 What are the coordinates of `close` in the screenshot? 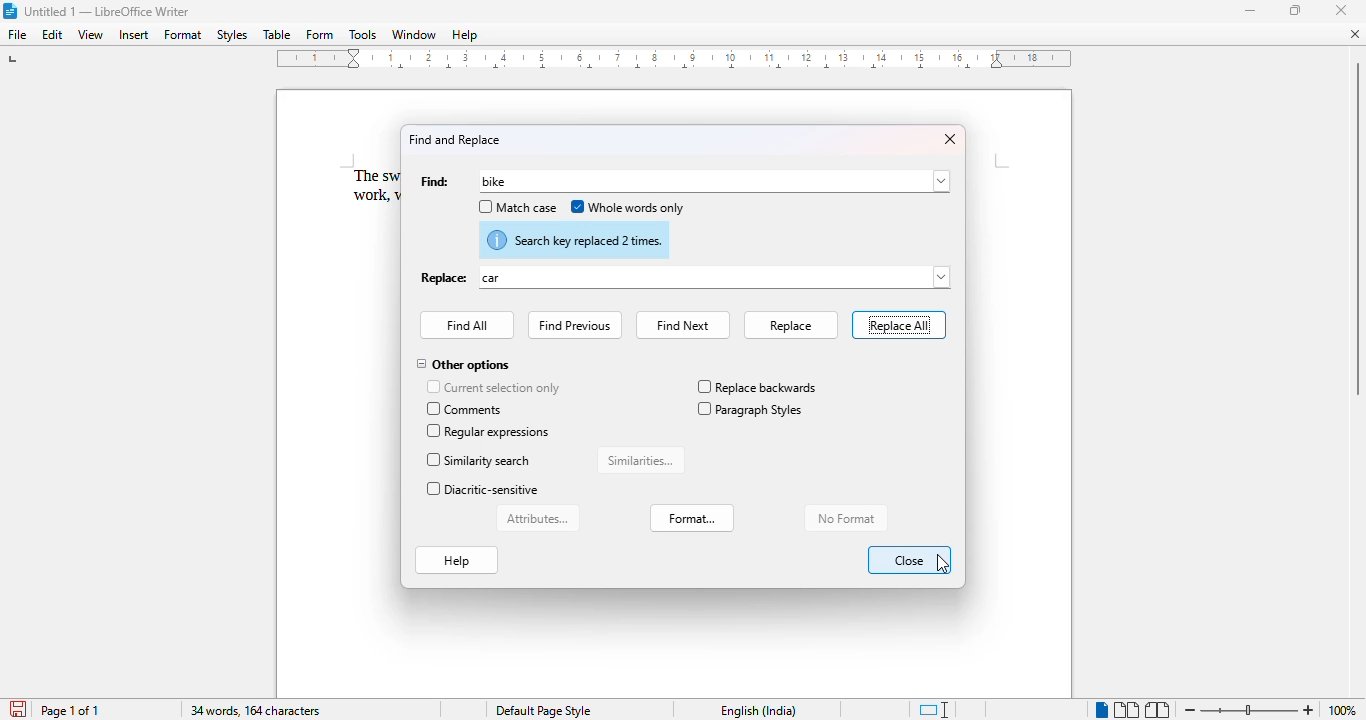 It's located at (908, 560).